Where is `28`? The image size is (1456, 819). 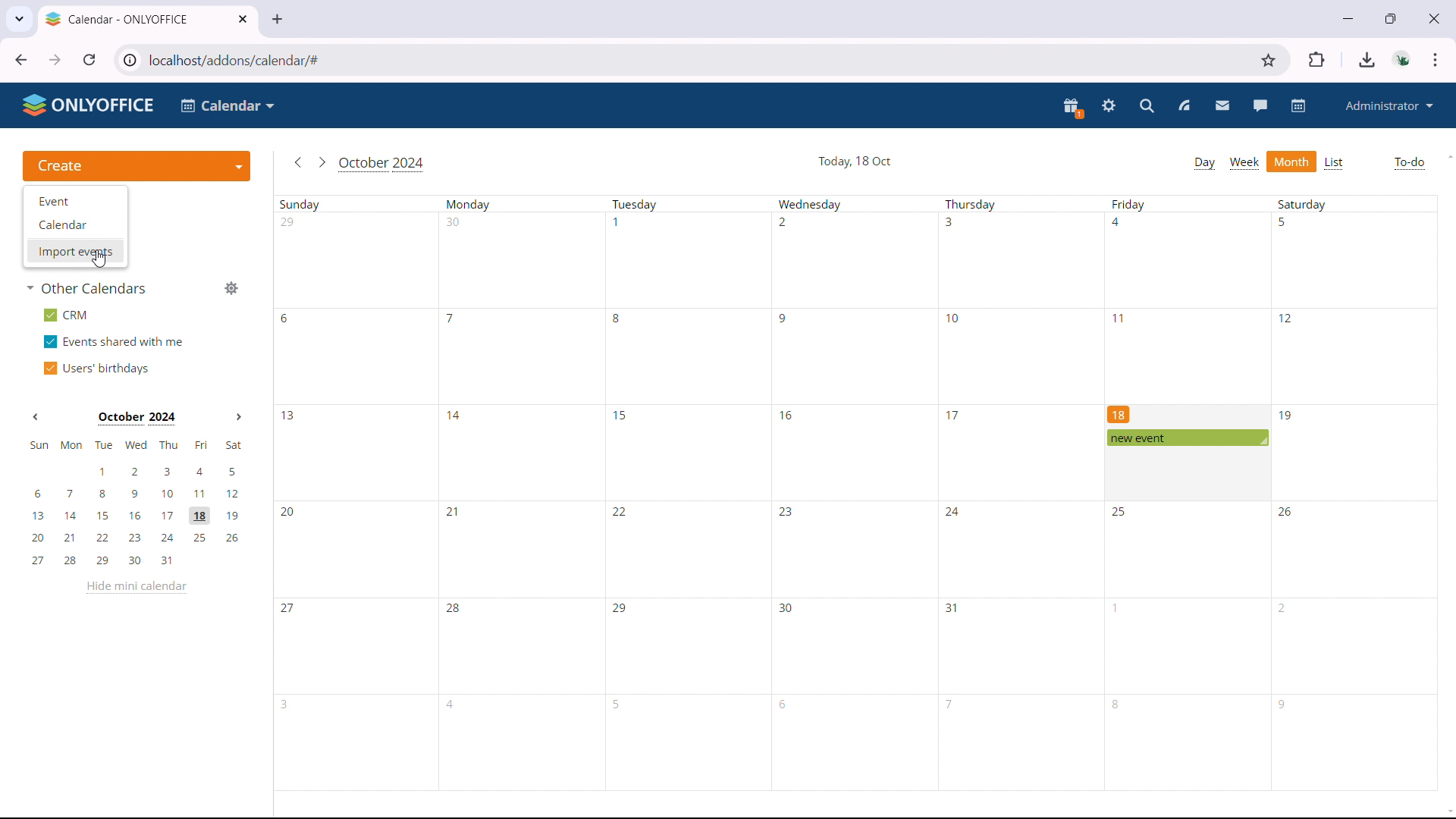
28 is located at coordinates (454, 610).